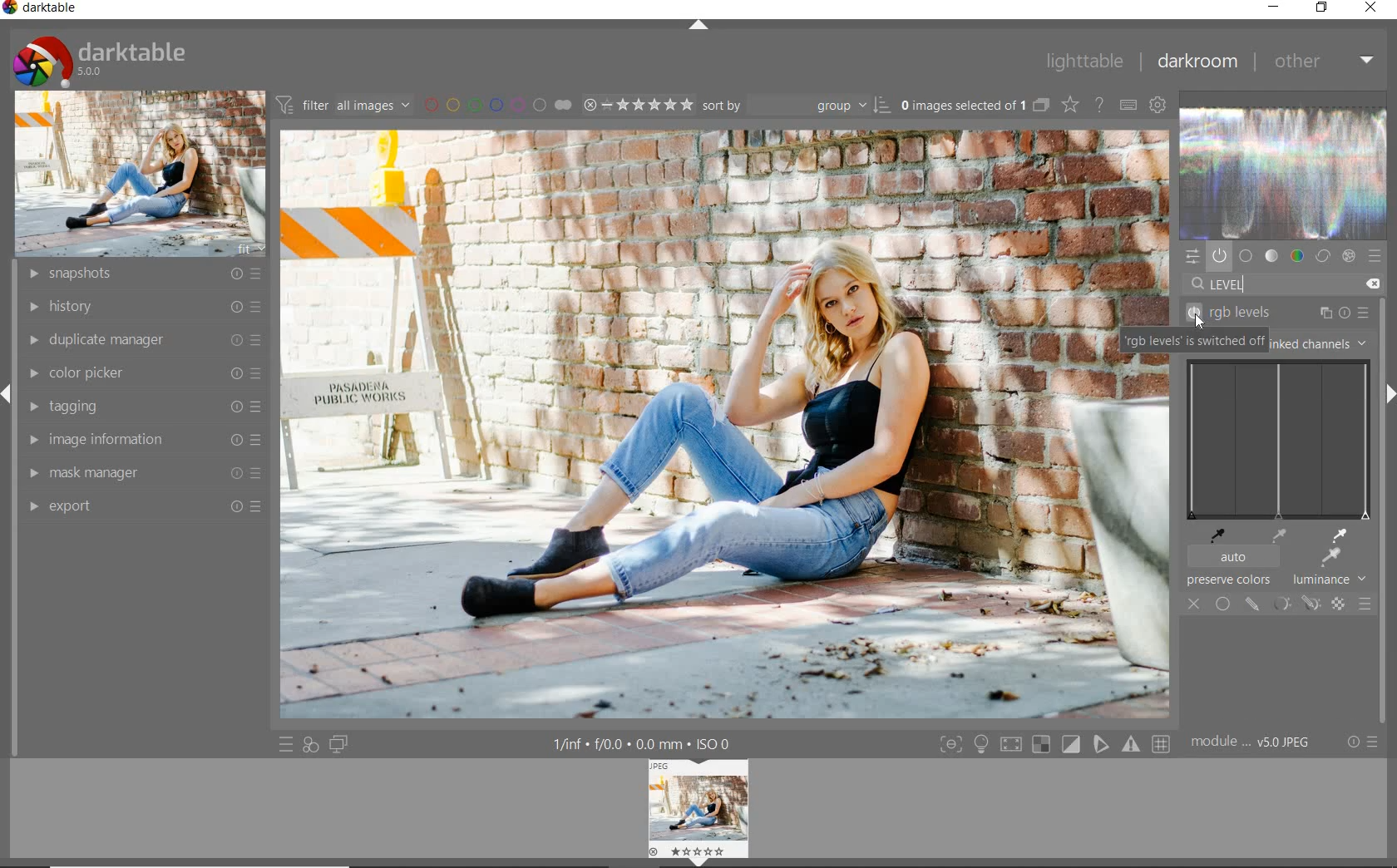 The width and height of the screenshot is (1397, 868). What do you see at coordinates (1227, 284) in the screenshot?
I see `level` at bounding box center [1227, 284].